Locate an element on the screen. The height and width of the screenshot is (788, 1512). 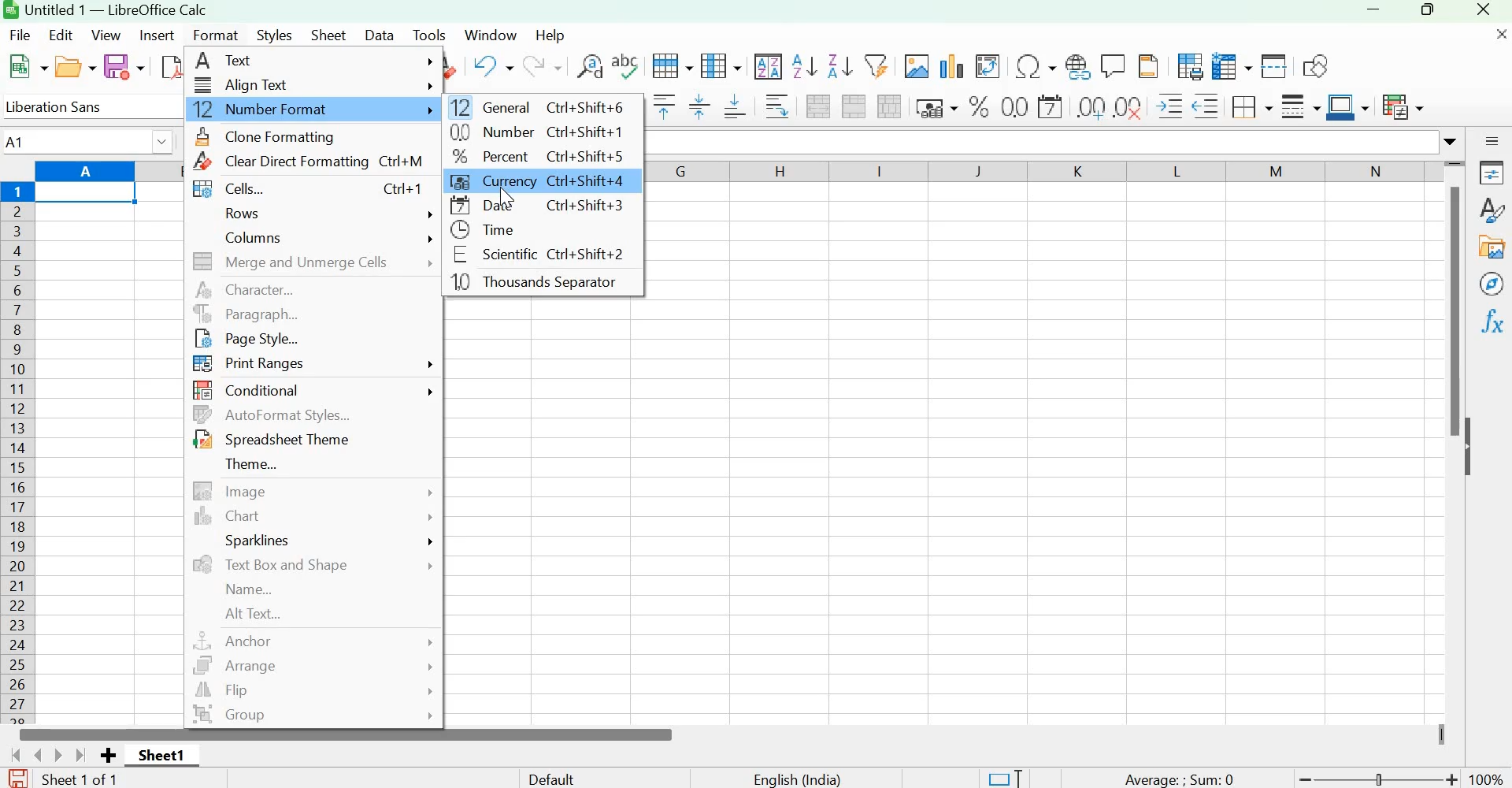
Column is located at coordinates (724, 66).